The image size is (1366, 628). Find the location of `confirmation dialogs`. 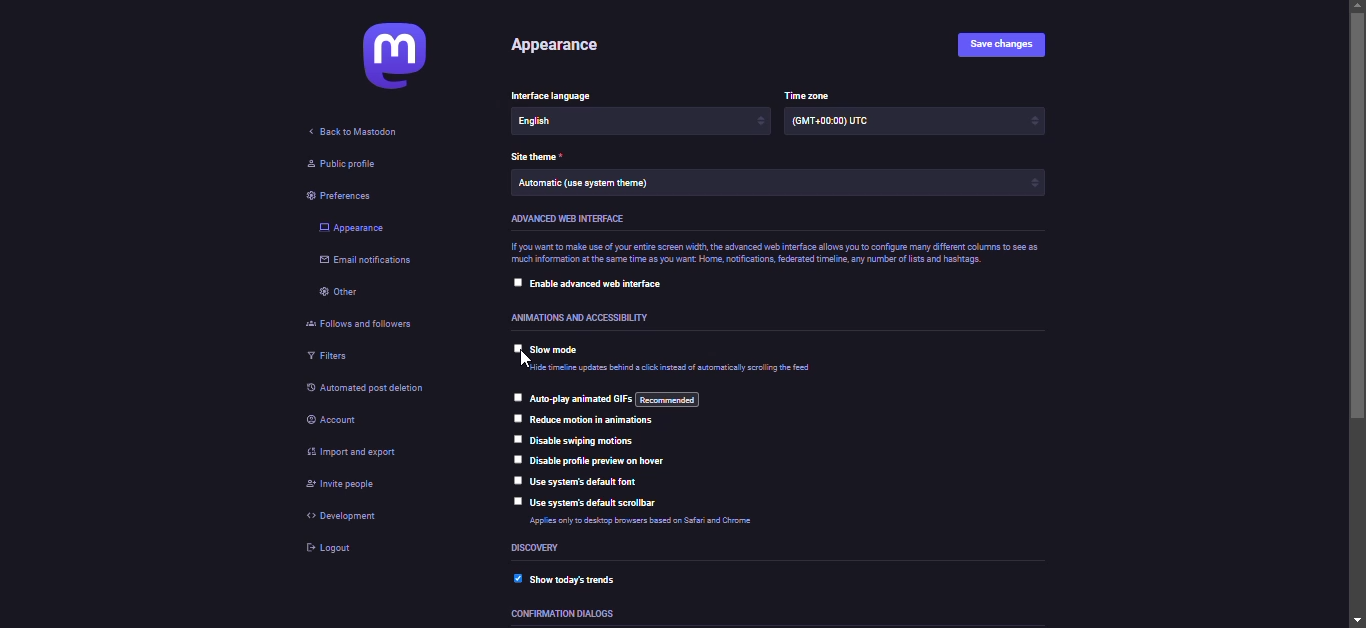

confirmation dialogs is located at coordinates (568, 616).